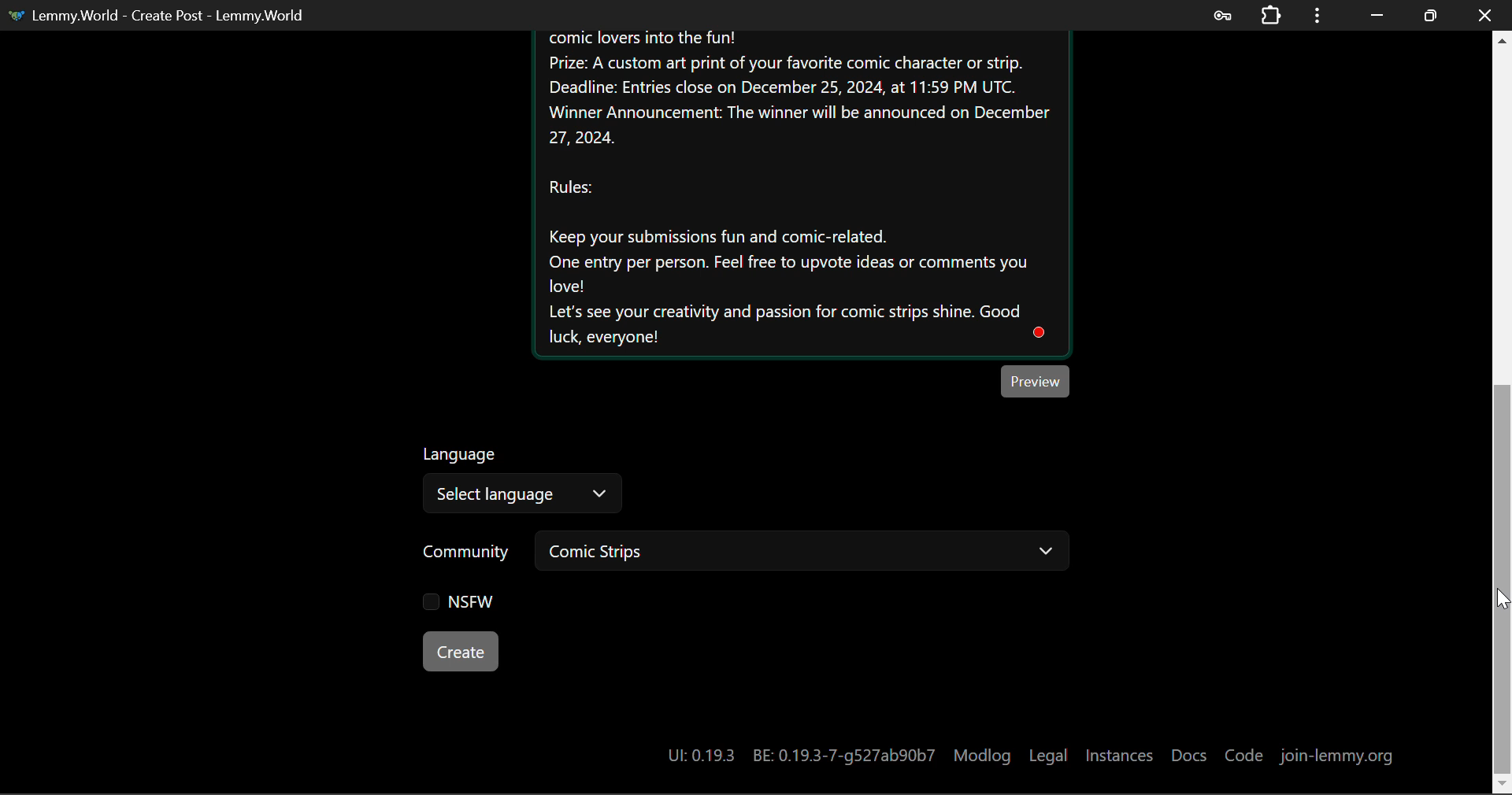 This screenshot has height=795, width=1512. Describe the element at coordinates (458, 603) in the screenshot. I see `NSFW` at that location.